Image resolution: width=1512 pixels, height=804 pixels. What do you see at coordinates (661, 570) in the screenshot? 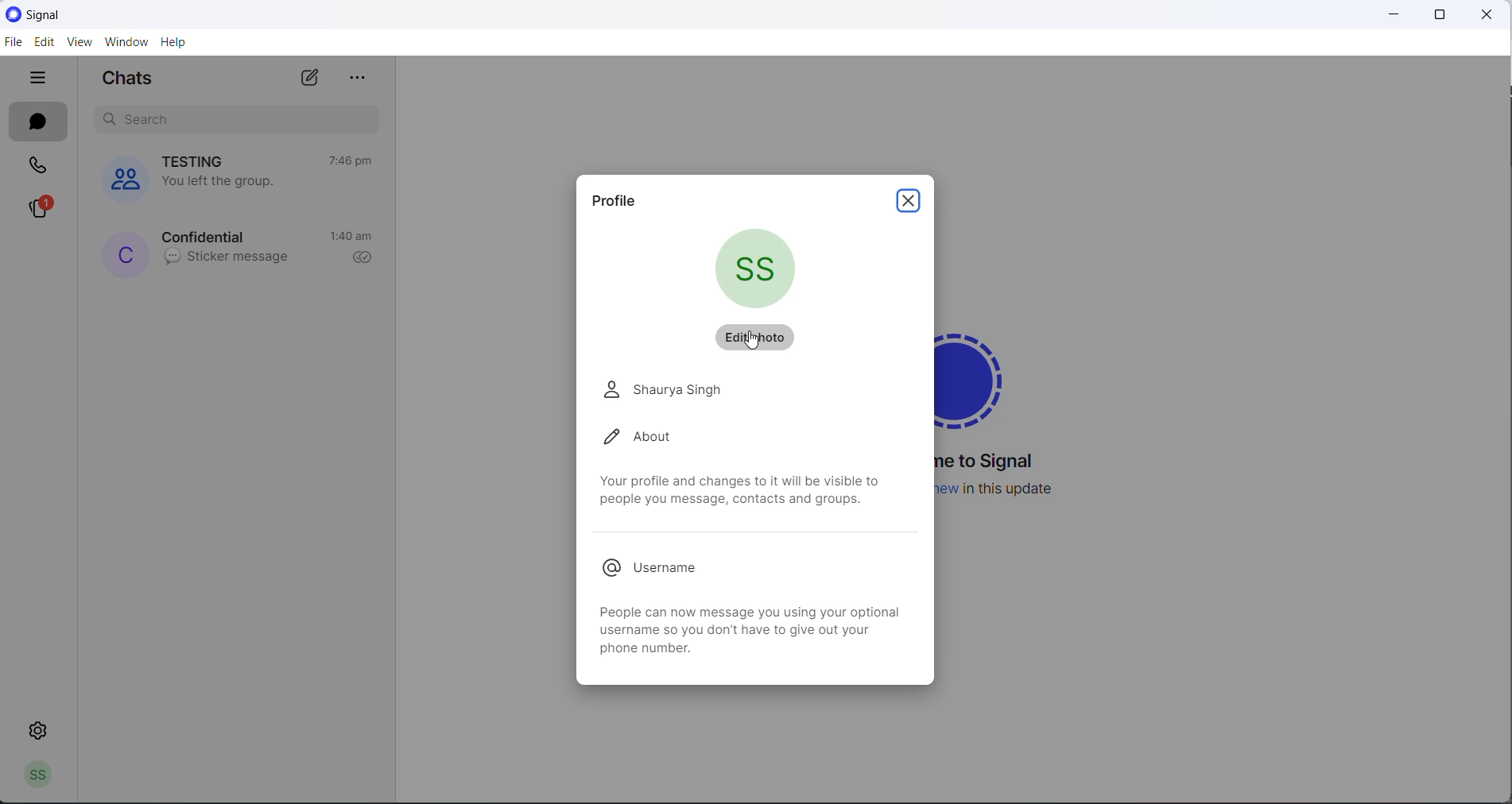
I see `username` at bounding box center [661, 570].